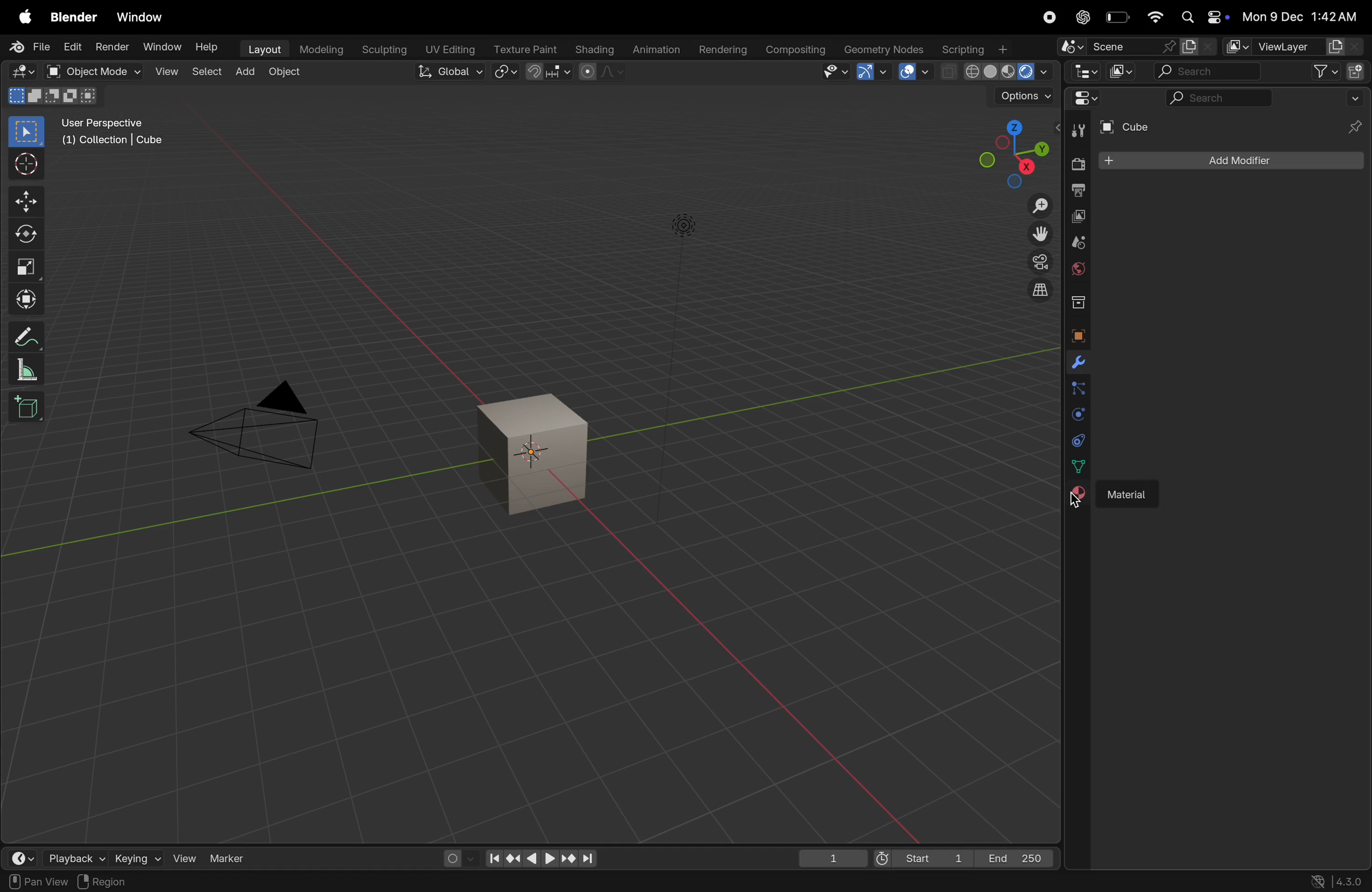  What do you see at coordinates (1076, 269) in the screenshot?
I see `world` at bounding box center [1076, 269].